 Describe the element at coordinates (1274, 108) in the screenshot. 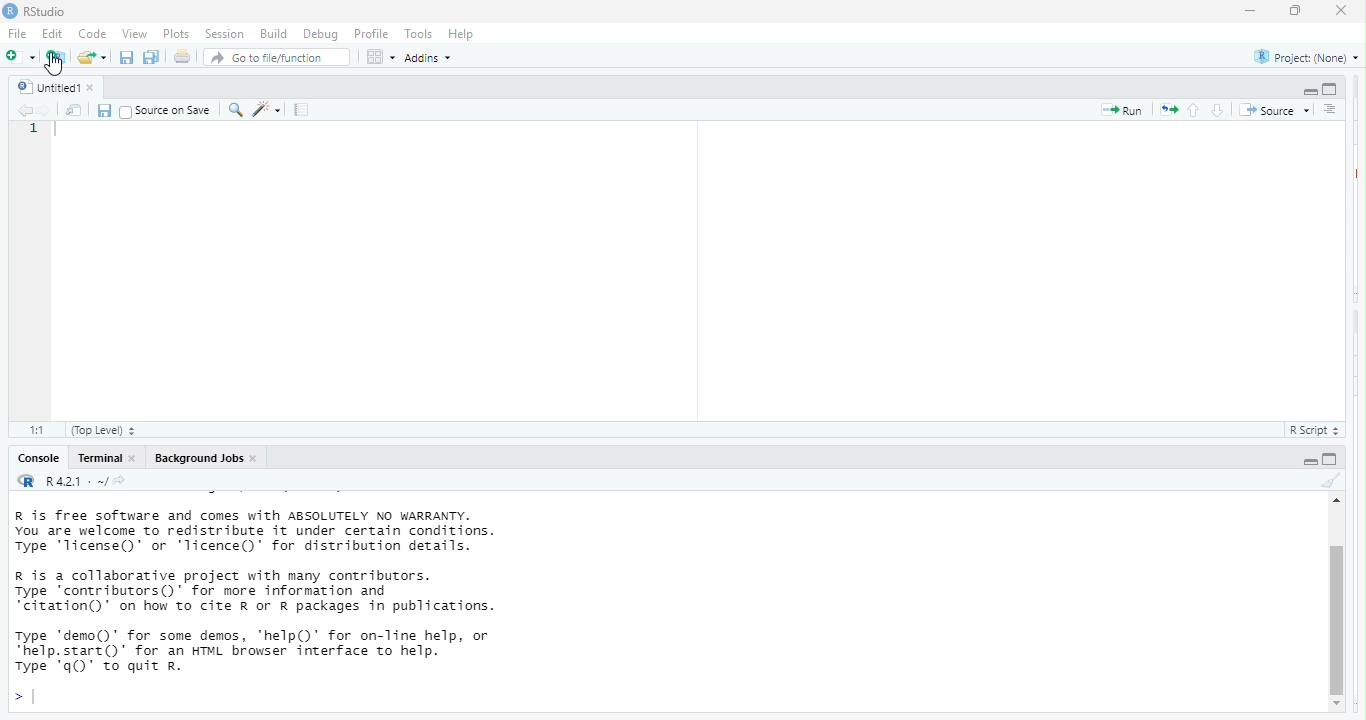

I see `source` at that location.